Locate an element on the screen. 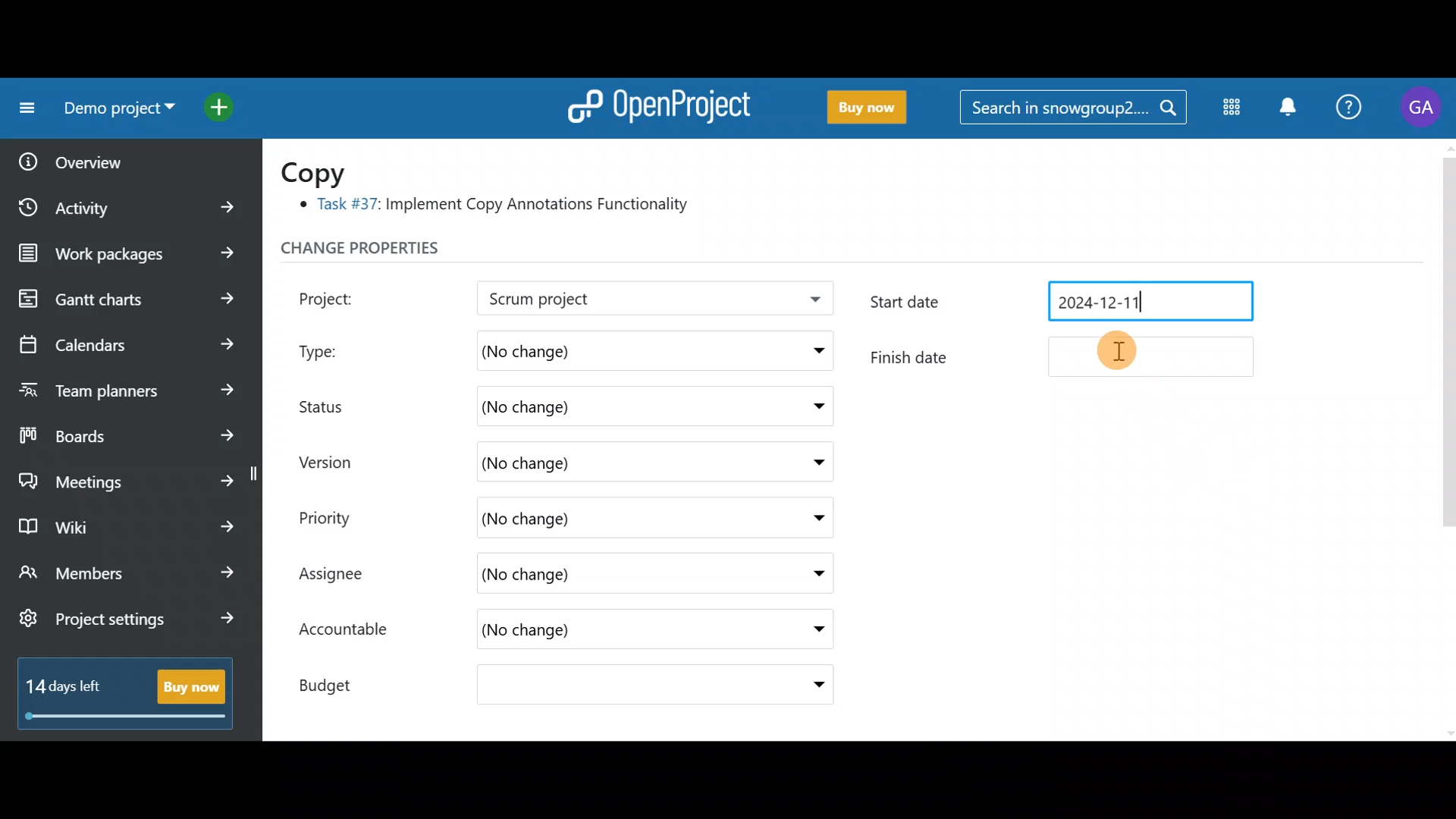  Collapse project menu is located at coordinates (24, 108).